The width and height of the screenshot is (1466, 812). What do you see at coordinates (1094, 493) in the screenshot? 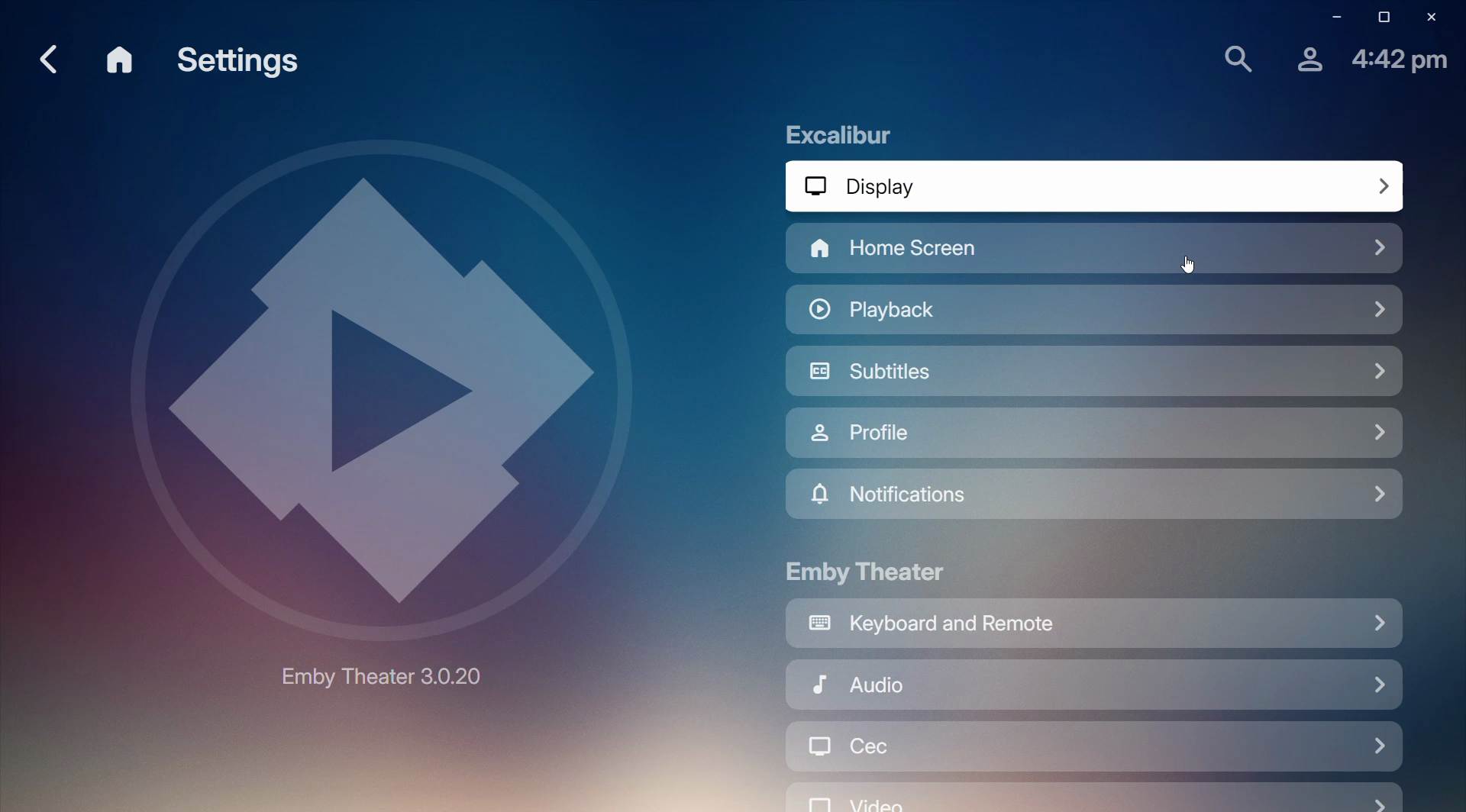
I see `Notifications` at bounding box center [1094, 493].